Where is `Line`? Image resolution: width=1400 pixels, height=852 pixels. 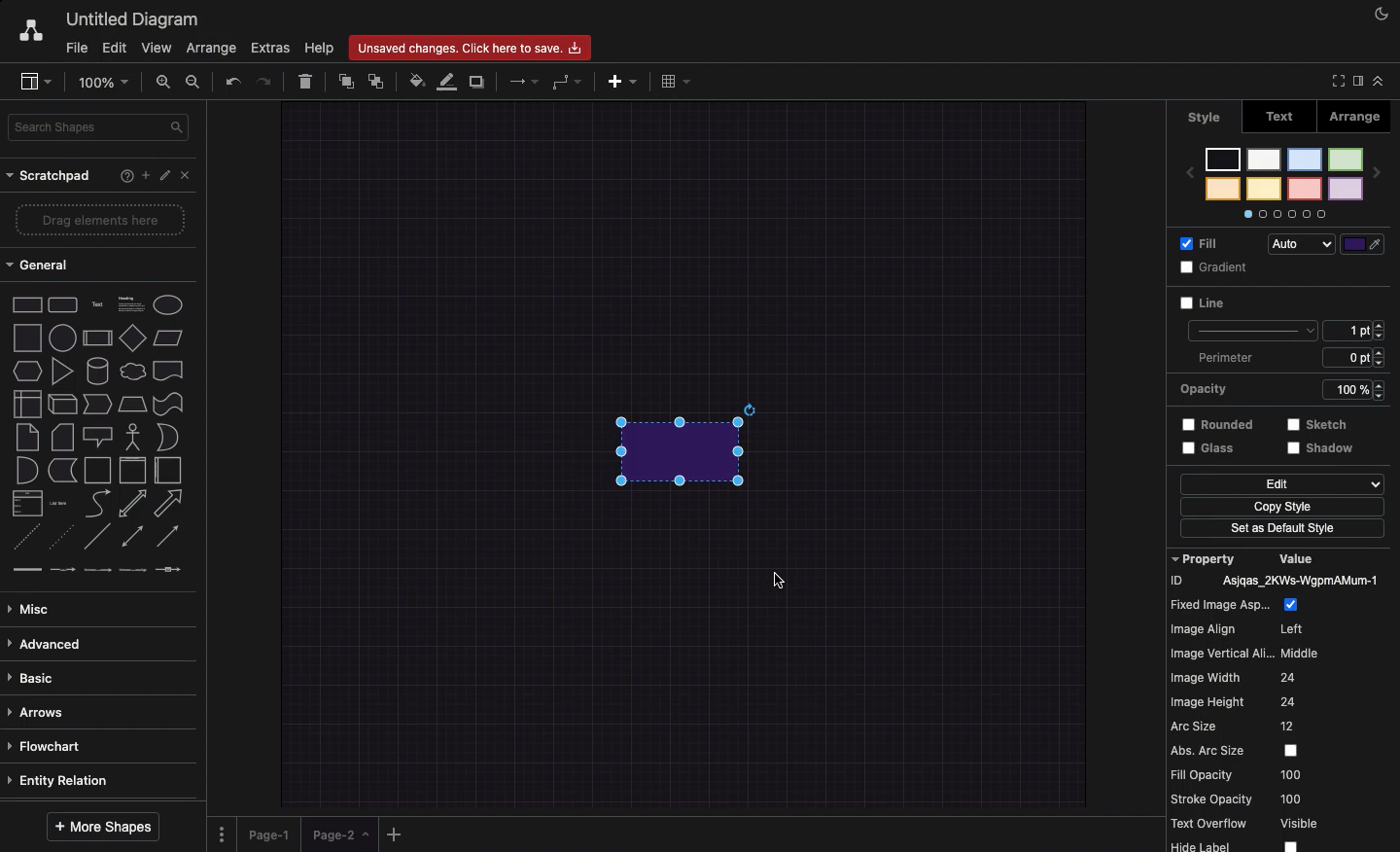 Line is located at coordinates (1246, 316).